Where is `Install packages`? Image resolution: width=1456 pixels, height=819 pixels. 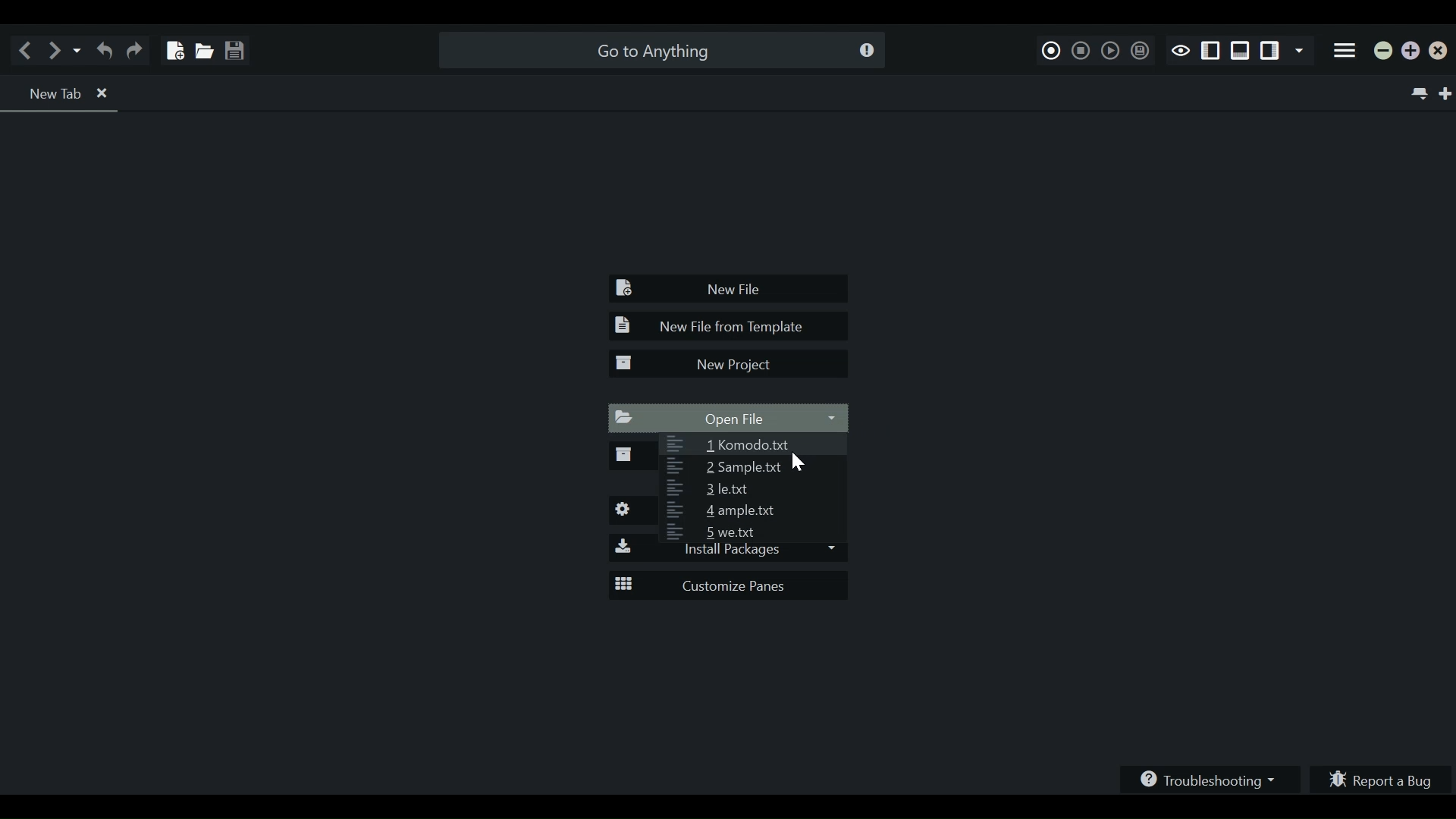
Install packages is located at coordinates (726, 553).